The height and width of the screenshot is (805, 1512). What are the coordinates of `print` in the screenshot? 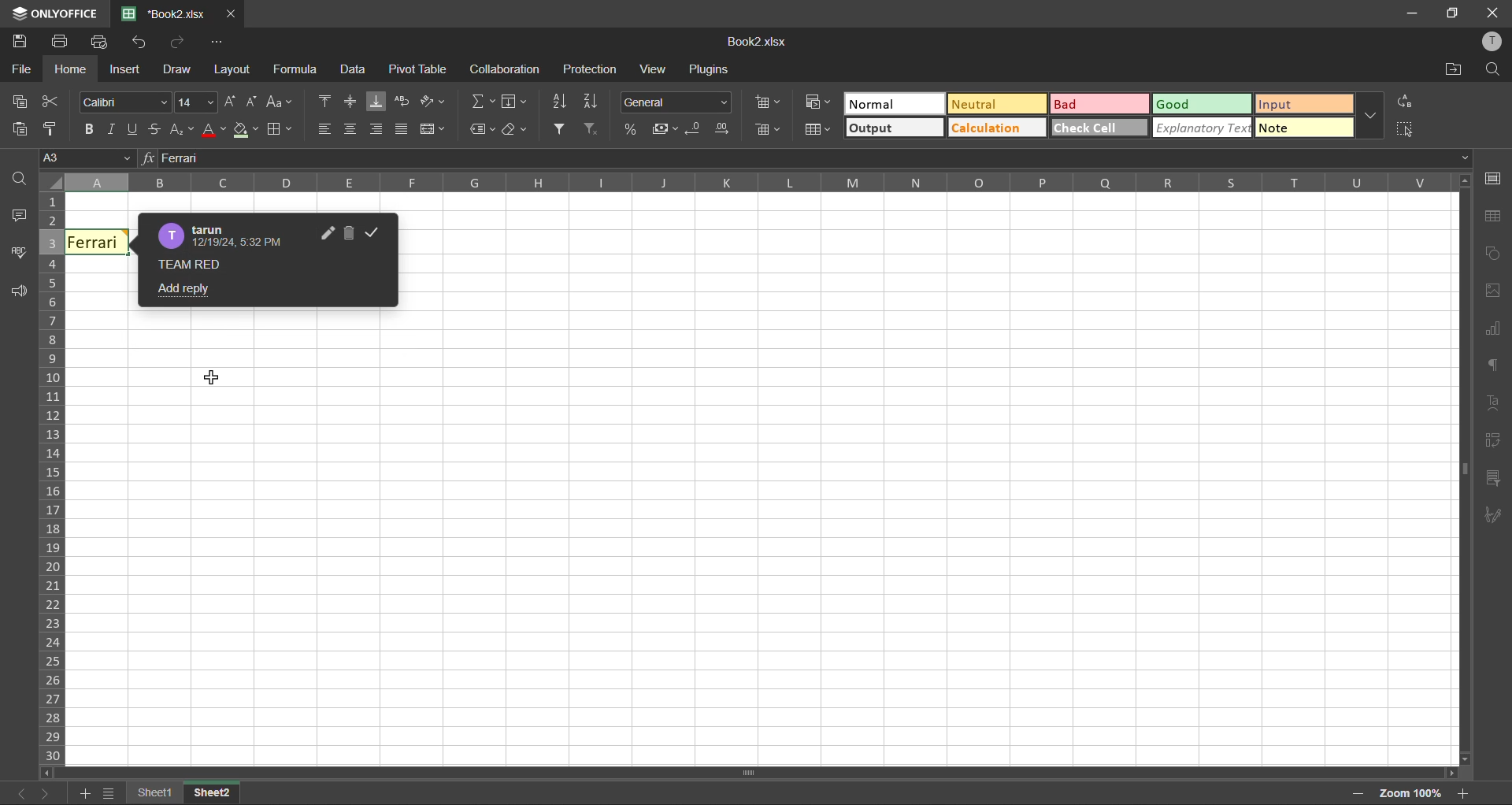 It's located at (61, 43).